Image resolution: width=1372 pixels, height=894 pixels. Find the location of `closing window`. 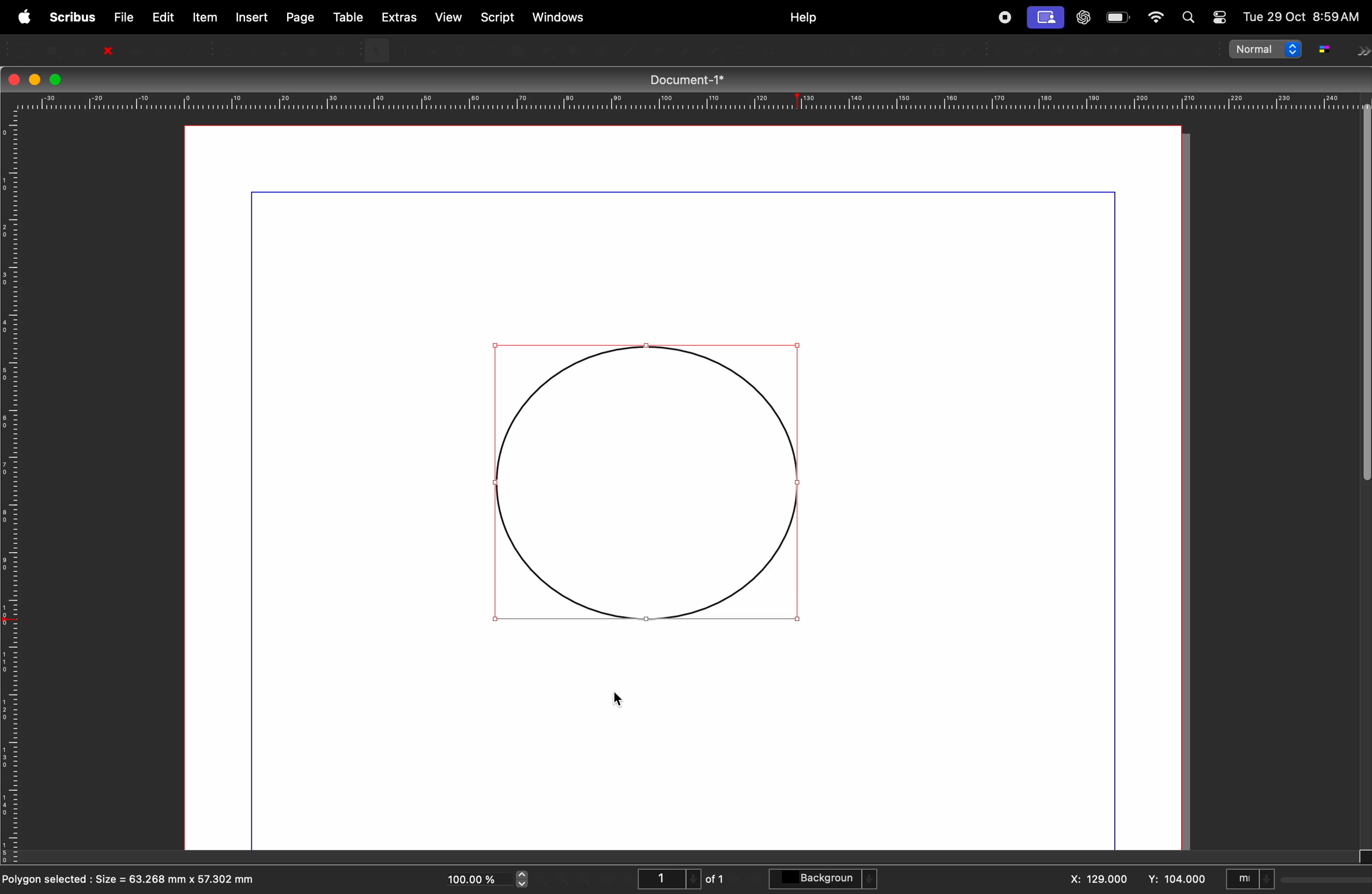

closing window is located at coordinates (15, 78).